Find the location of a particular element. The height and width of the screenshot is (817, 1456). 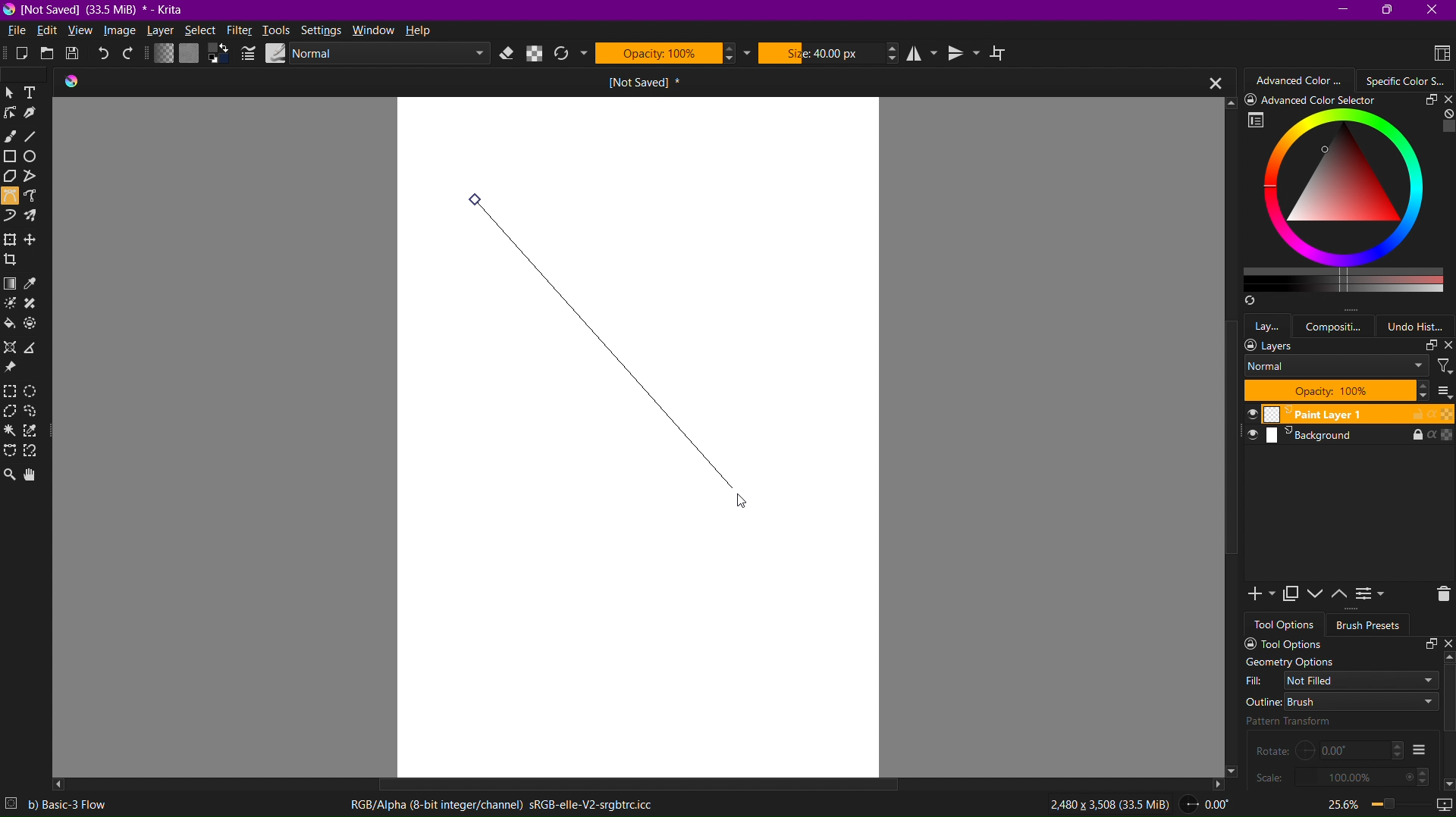

slideshow is located at coordinates (1441, 800).